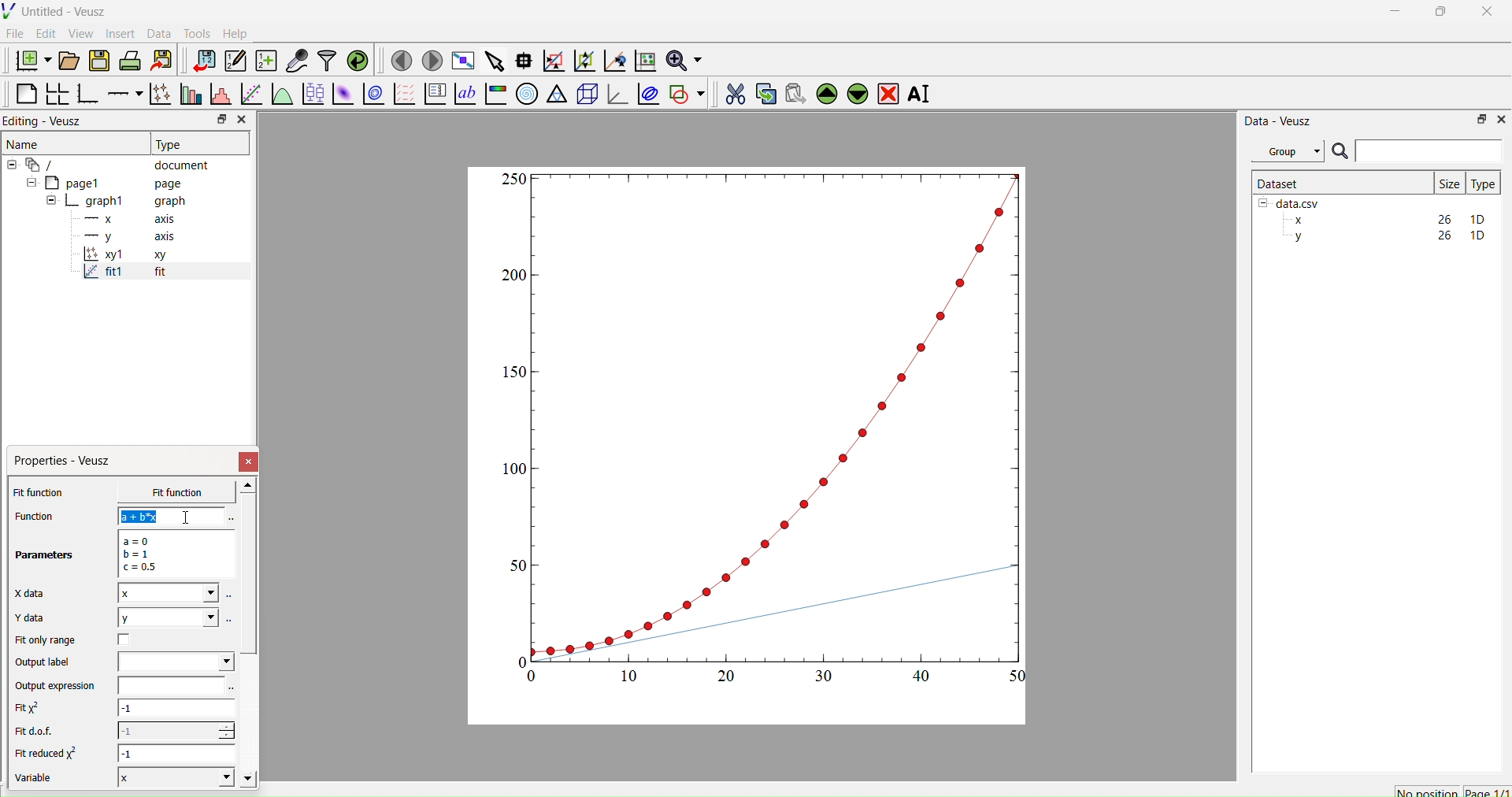 This screenshot has height=797, width=1512. Describe the element at coordinates (527, 94) in the screenshot. I see `Polar Graph` at that location.